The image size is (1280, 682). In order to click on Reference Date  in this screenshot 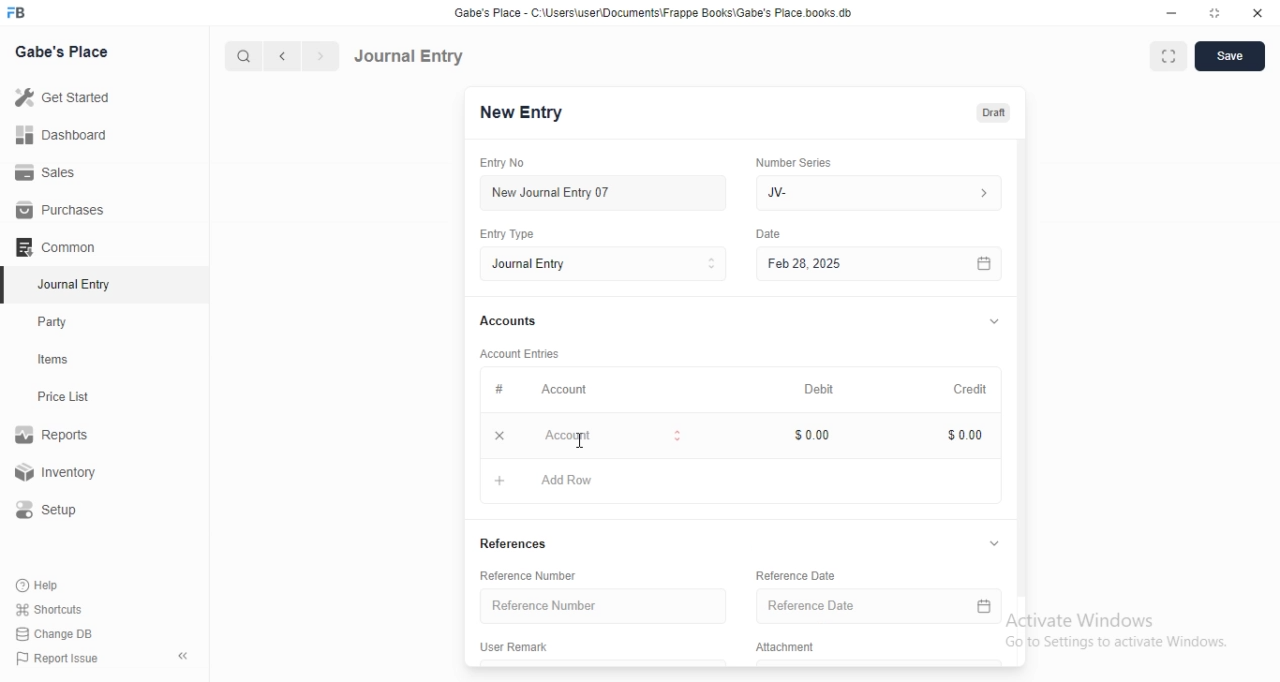, I will do `click(881, 605)`.